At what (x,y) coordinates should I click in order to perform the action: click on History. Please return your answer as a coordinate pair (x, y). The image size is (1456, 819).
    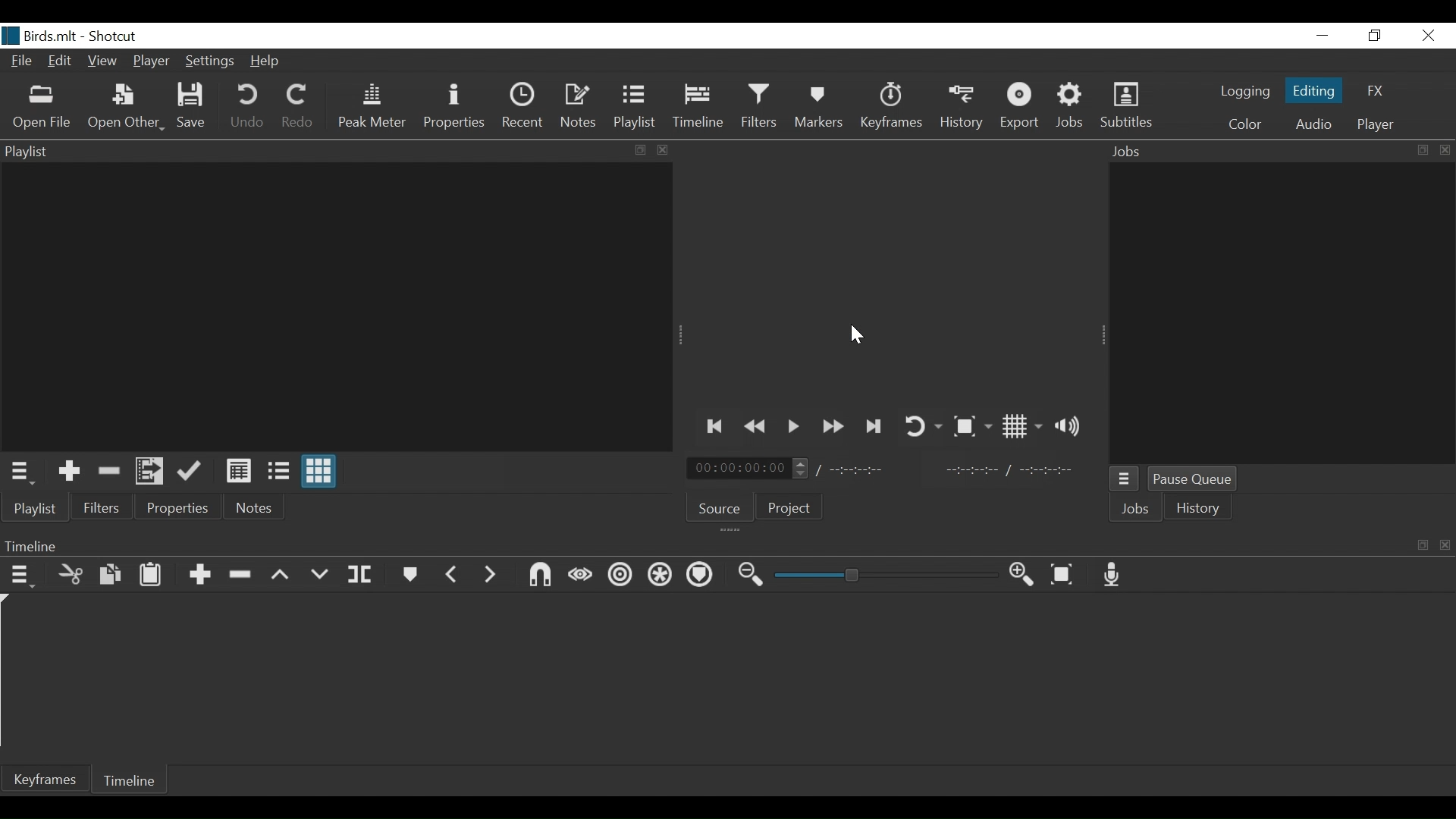
    Looking at the image, I should click on (964, 105).